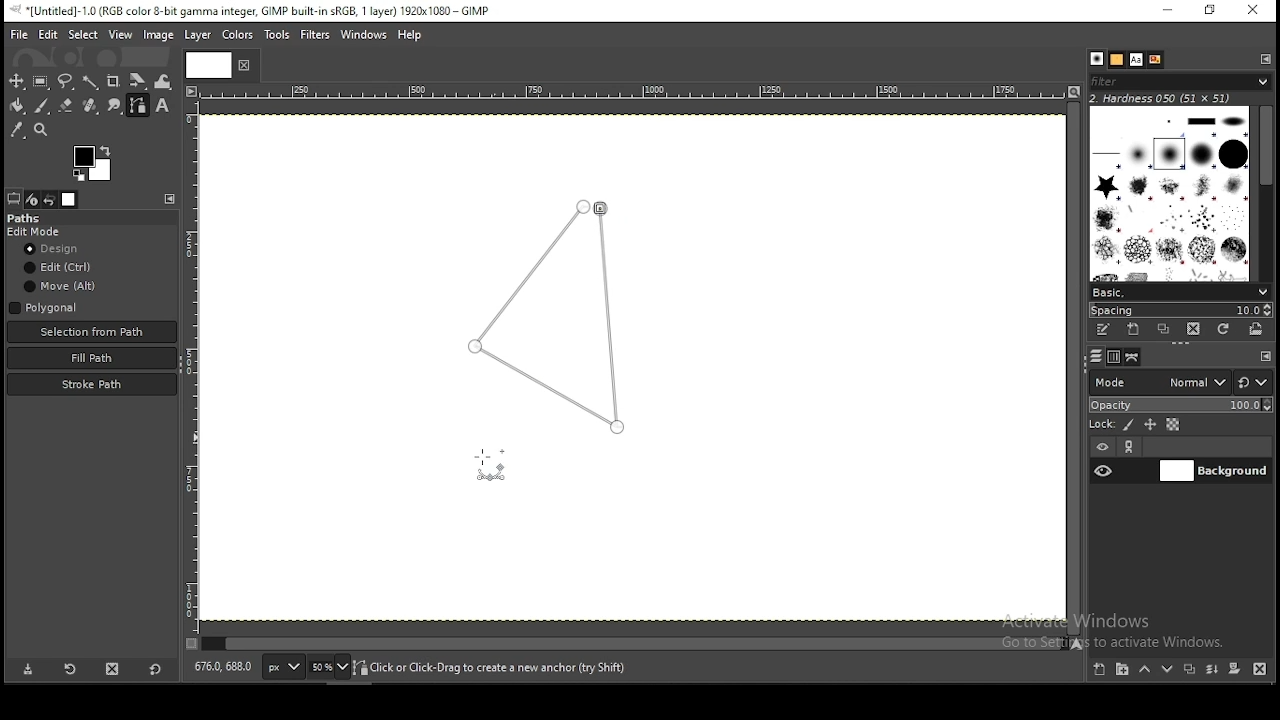 The image size is (1280, 720). Describe the element at coordinates (314, 34) in the screenshot. I see `filters` at that location.